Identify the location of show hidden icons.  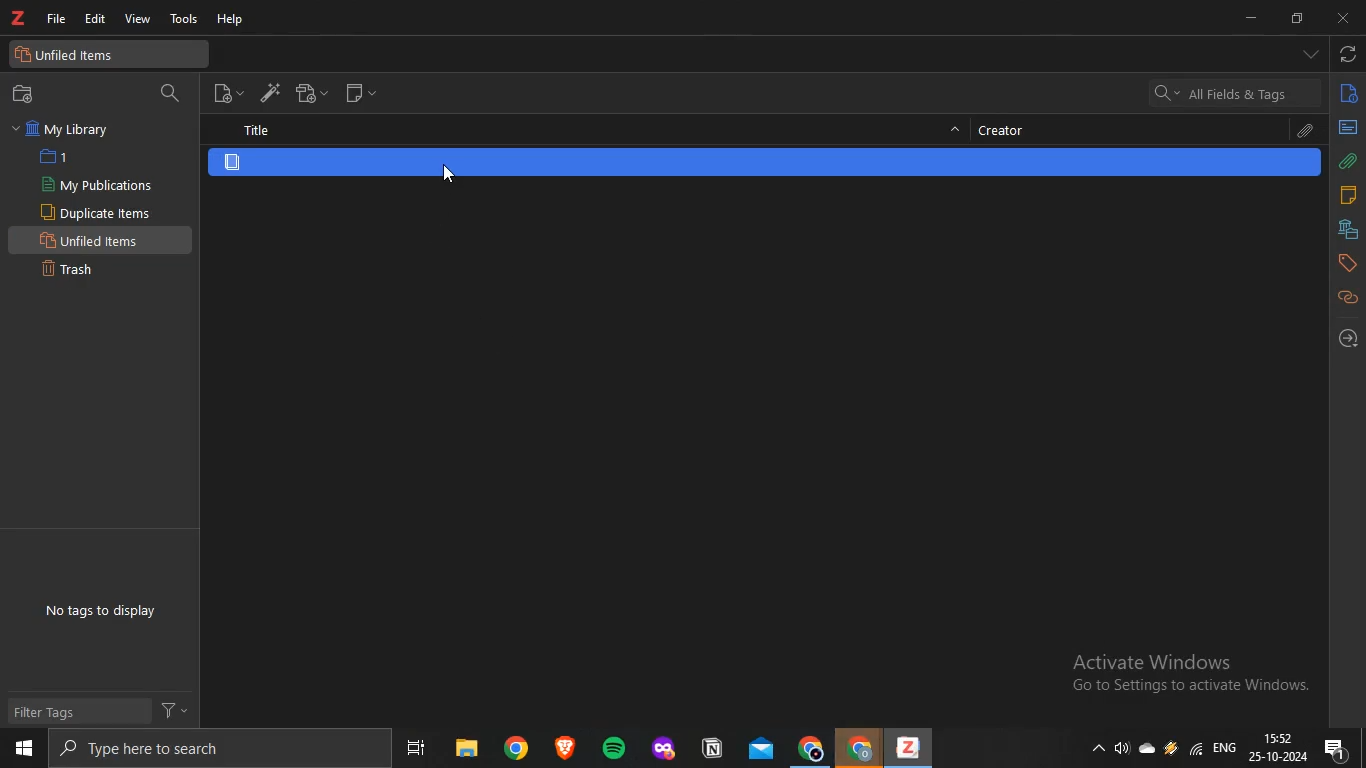
(1095, 746).